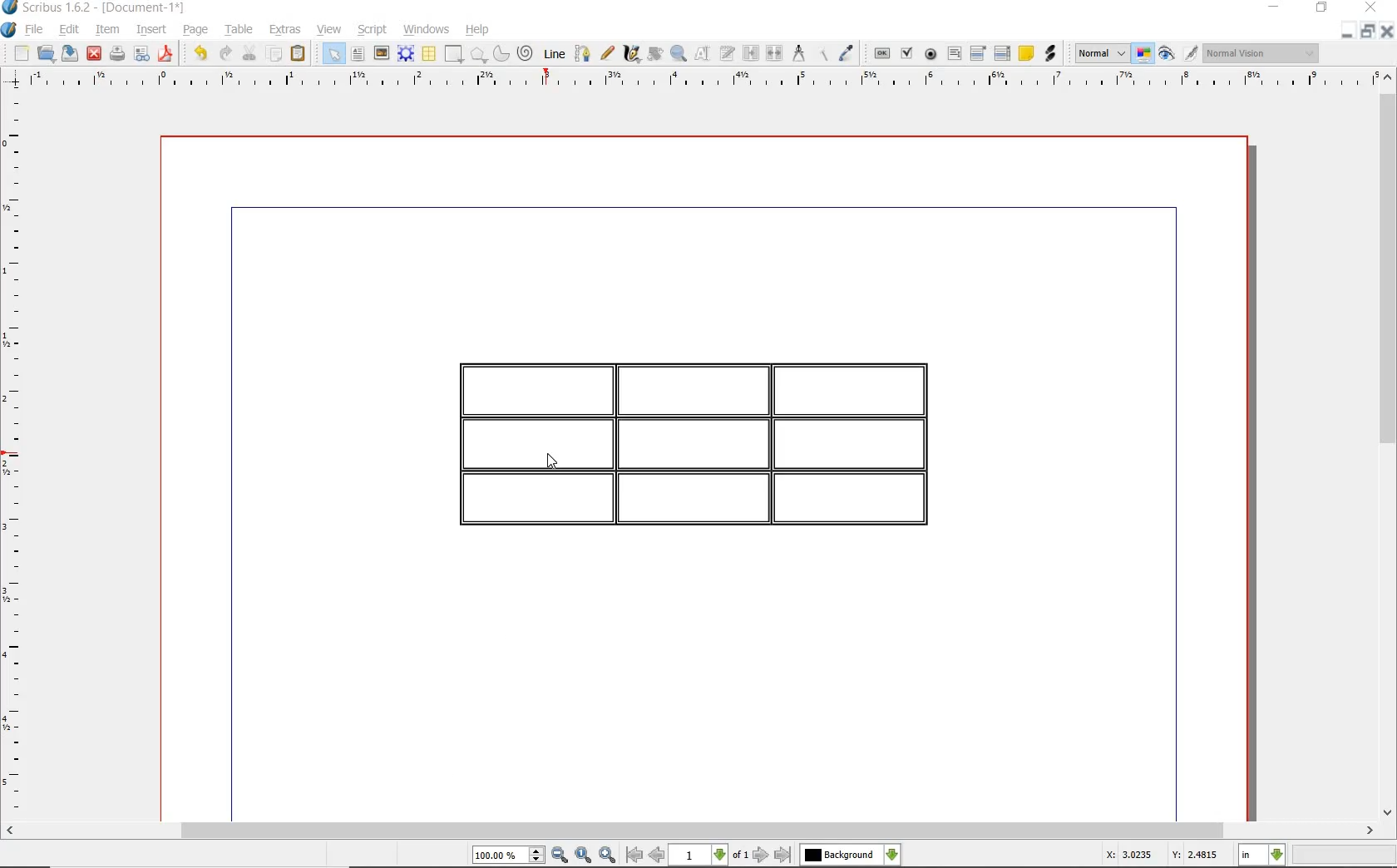 Image resolution: width=1397 pixels, height=868 pixels. What do you see at coordinates (703, 54) in the screenshot?
I see `edit content of frame` at bounding box center [703, 54].